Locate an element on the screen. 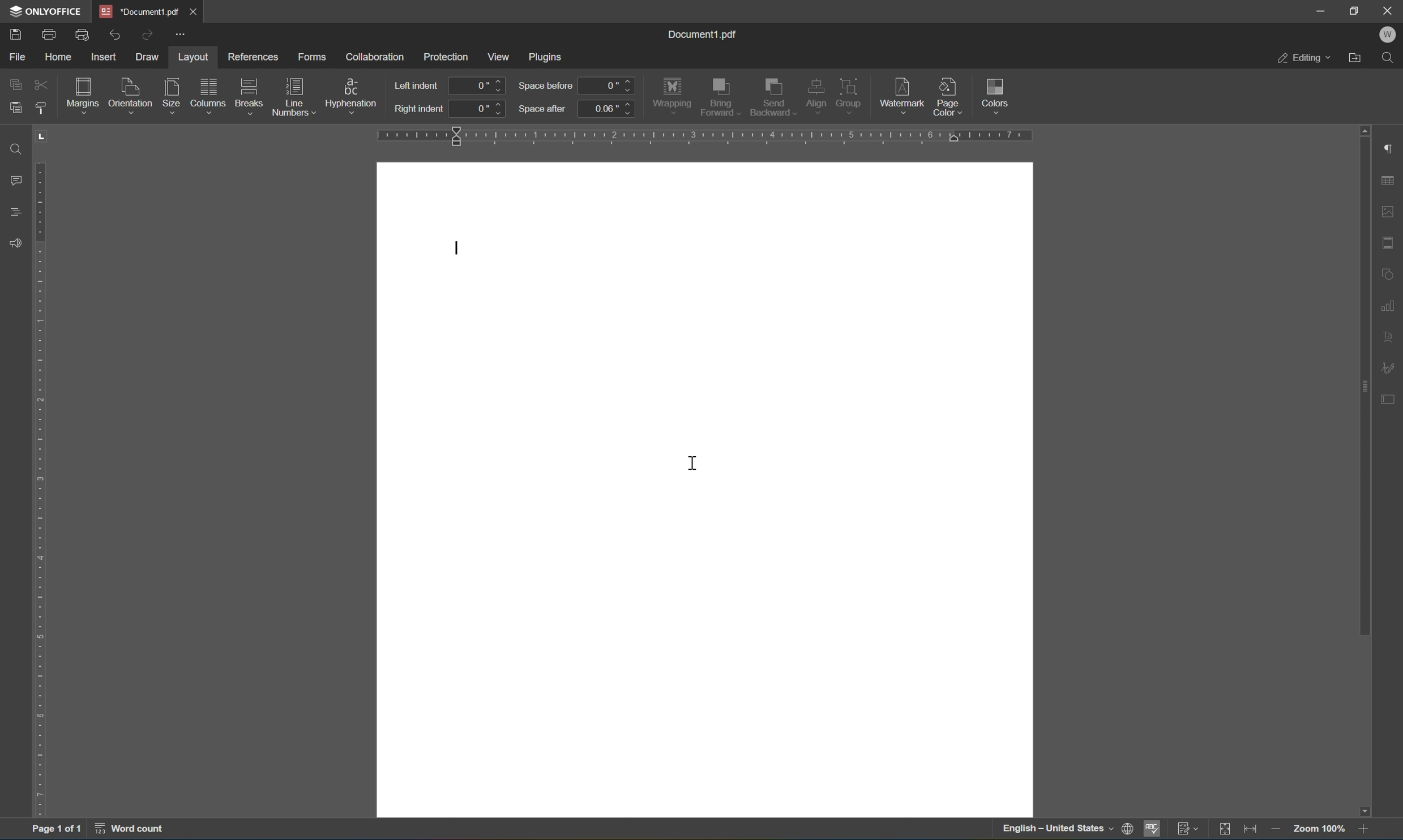  close is located at coordinates (1388, 10).